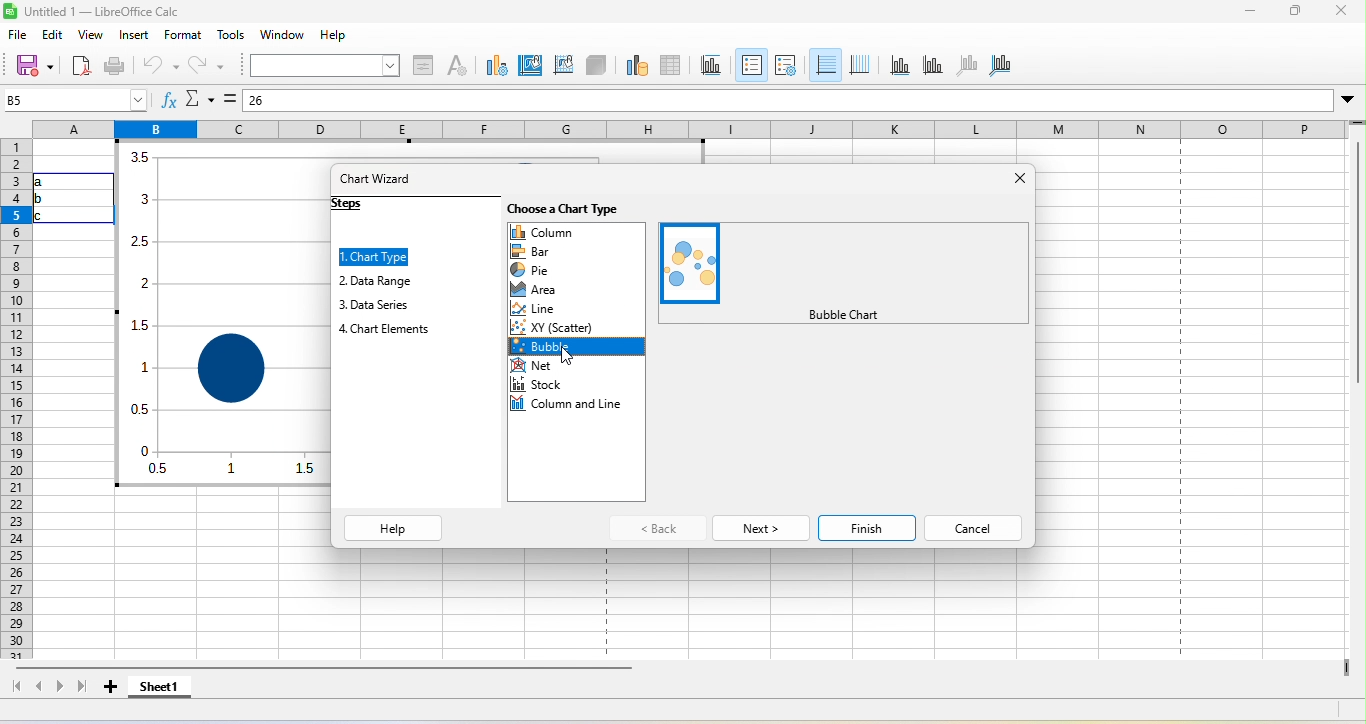 The image size is (1366, 724). Describe the element at coordinates (578, 230) in the screenshot. I see `column` at that location.